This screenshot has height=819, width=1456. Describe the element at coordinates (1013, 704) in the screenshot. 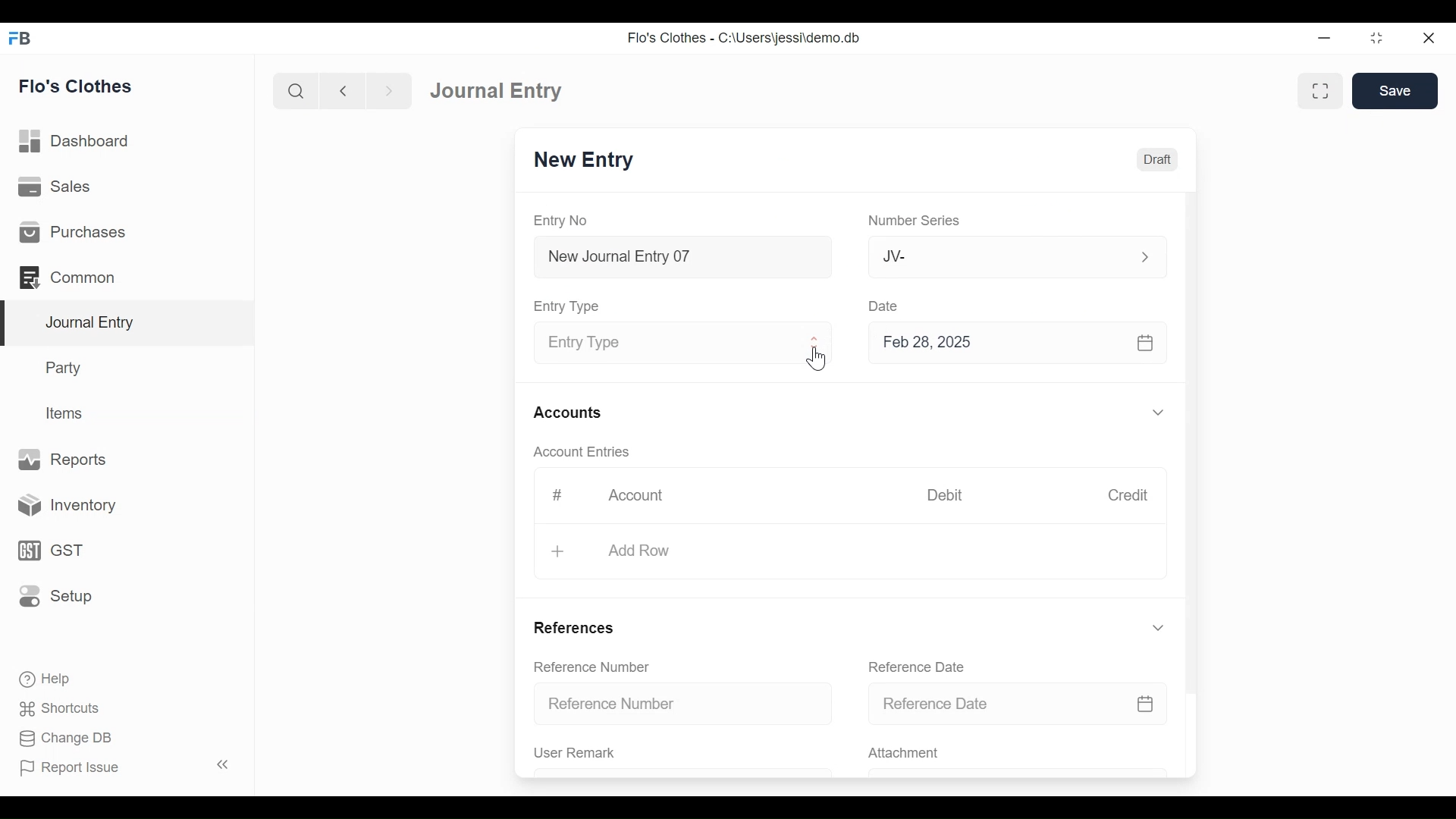

I see `Reference Date` at that location.